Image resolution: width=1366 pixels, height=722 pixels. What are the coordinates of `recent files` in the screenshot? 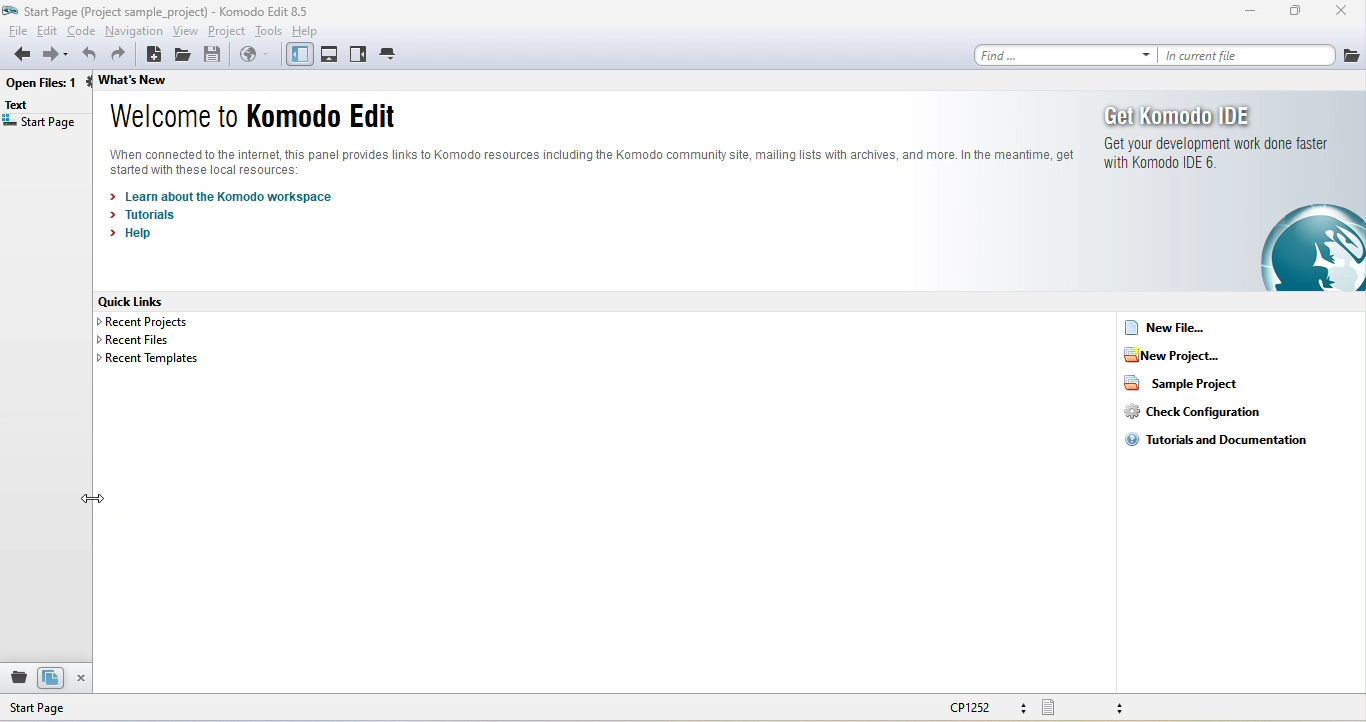 It's located at (137, 340).